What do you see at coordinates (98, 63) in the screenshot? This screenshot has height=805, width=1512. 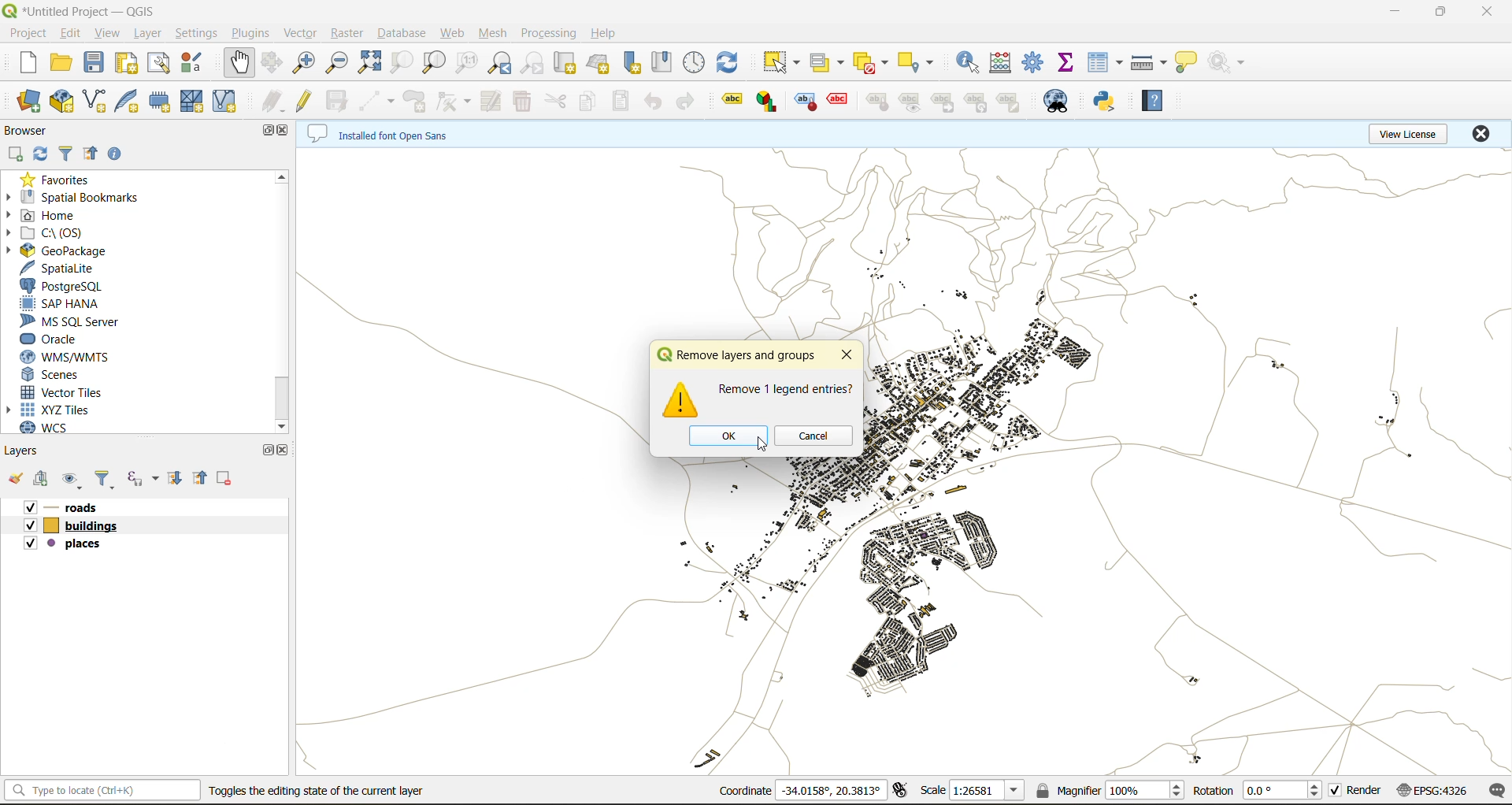 I see `save` at bounding box center [98, 63].